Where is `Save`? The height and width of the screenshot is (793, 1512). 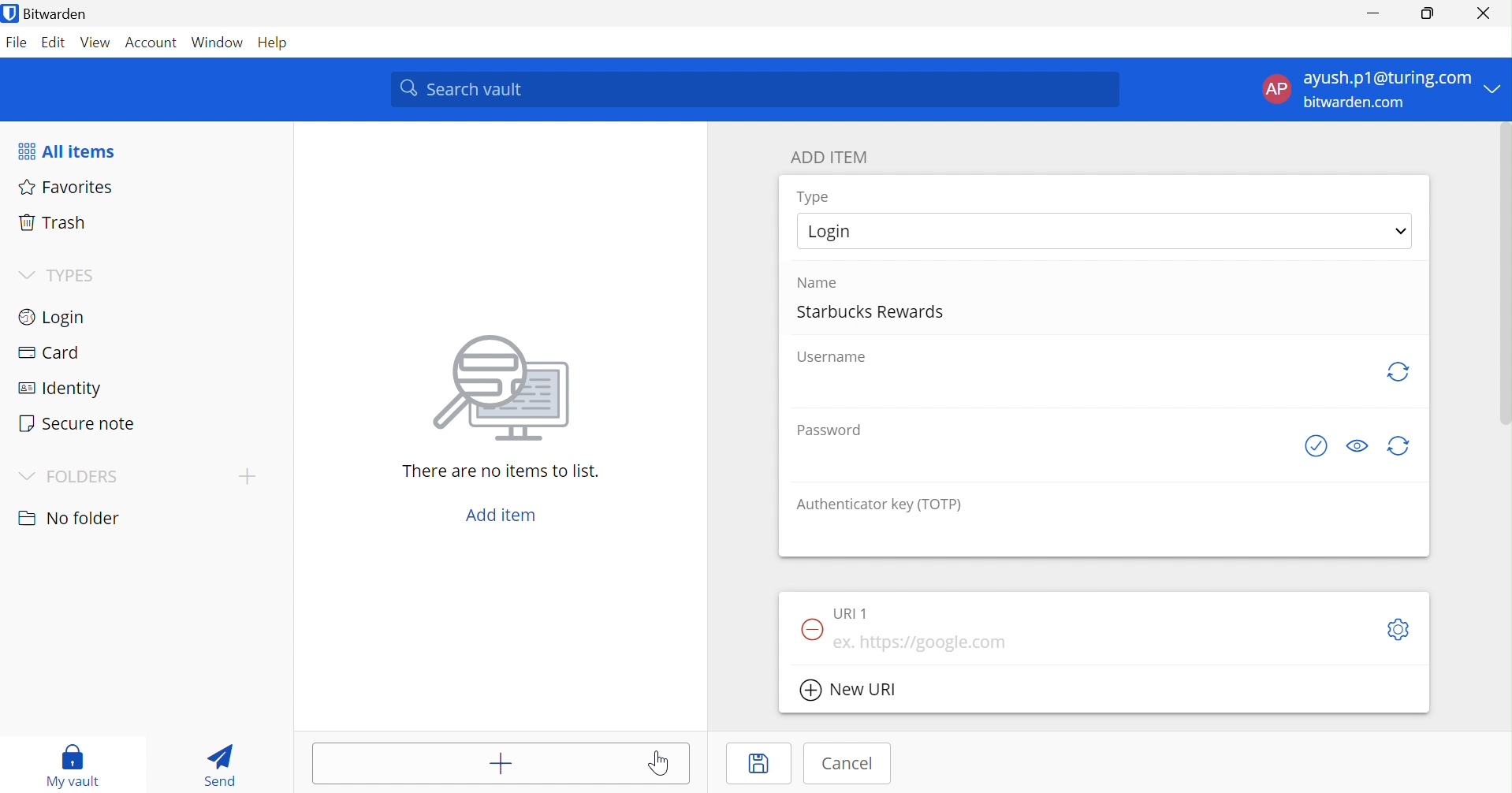
Save is located at coordinates (763, 765).